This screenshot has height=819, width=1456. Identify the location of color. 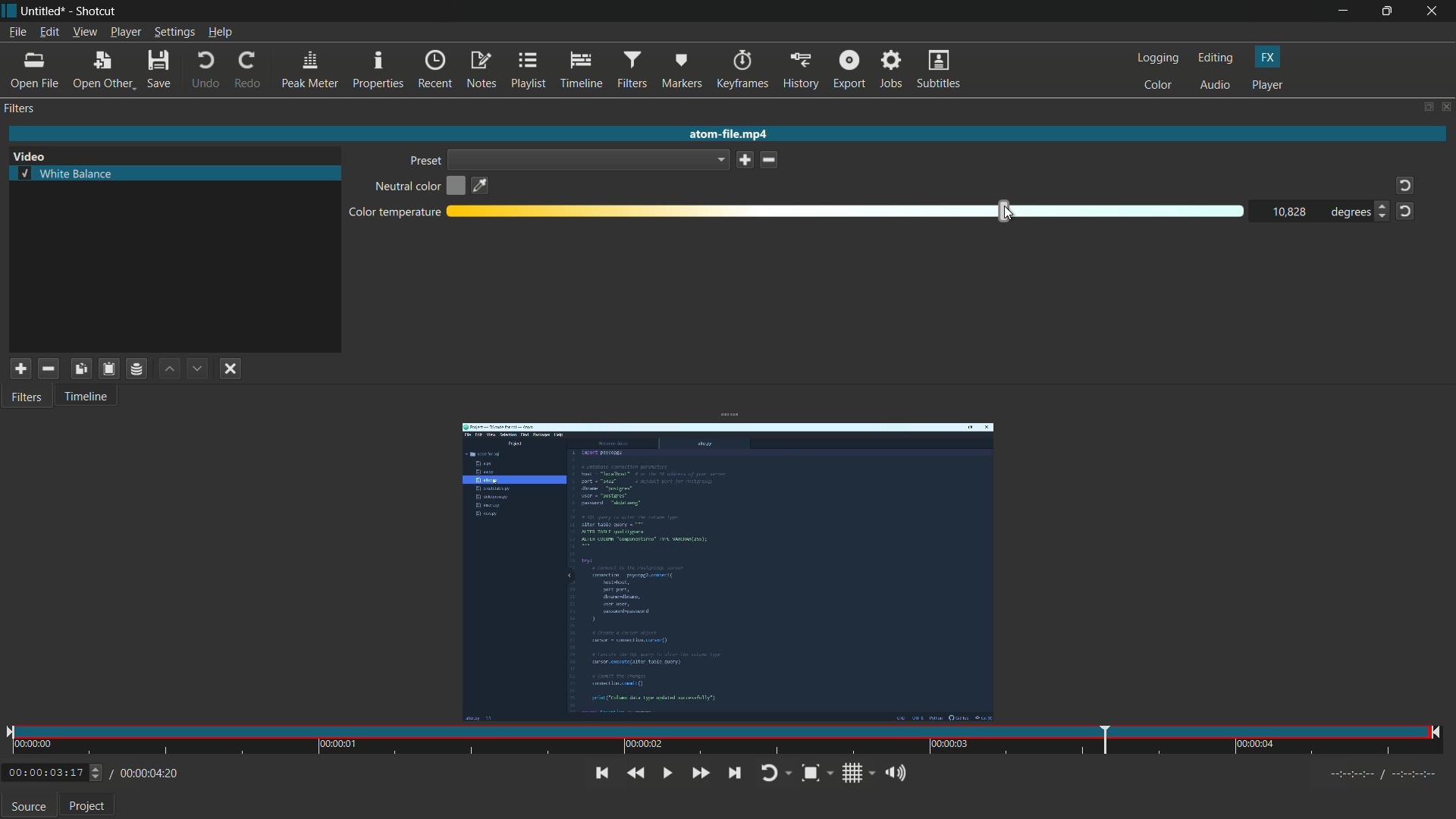
(1158, 86).